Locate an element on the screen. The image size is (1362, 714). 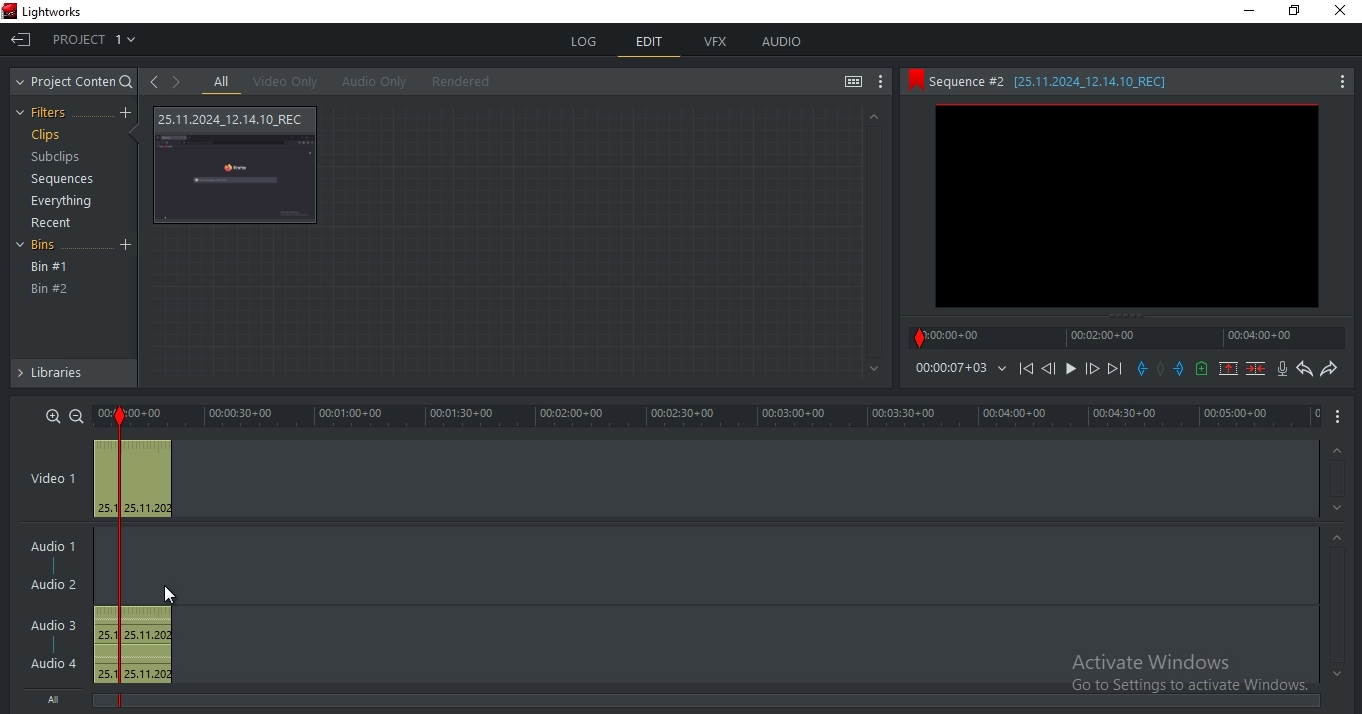
More Options is located at coordinates (1343, 80).